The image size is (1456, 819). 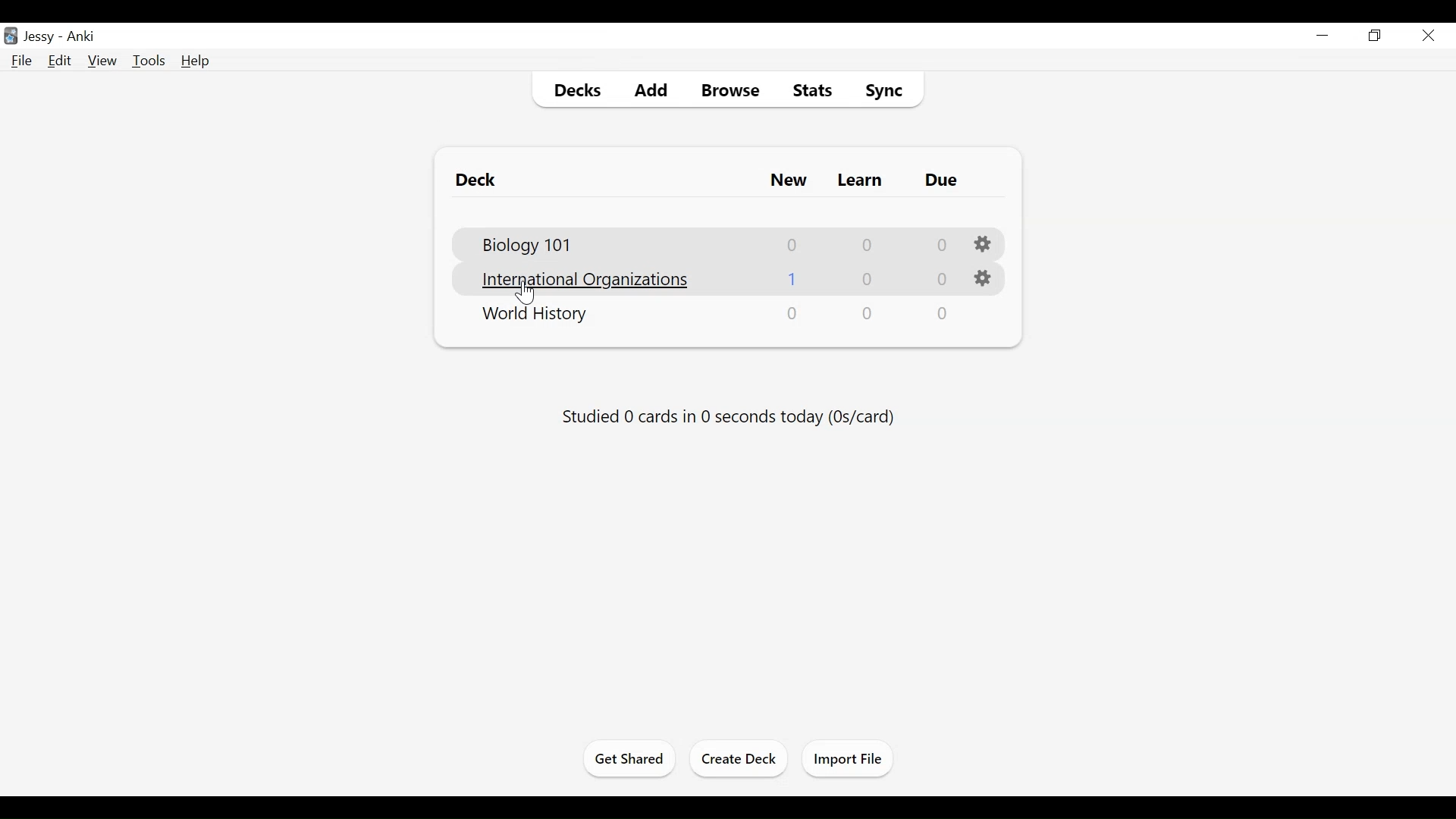 I want to click on Decks, so click(x=577, y=92).